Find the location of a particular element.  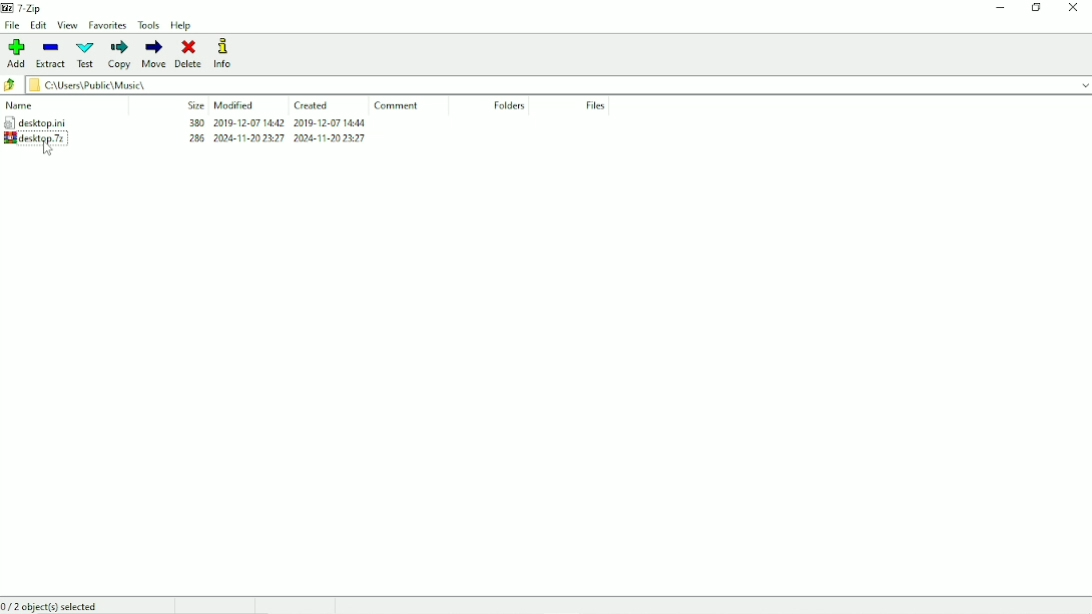

Comment is located at coordinates (398, 105).